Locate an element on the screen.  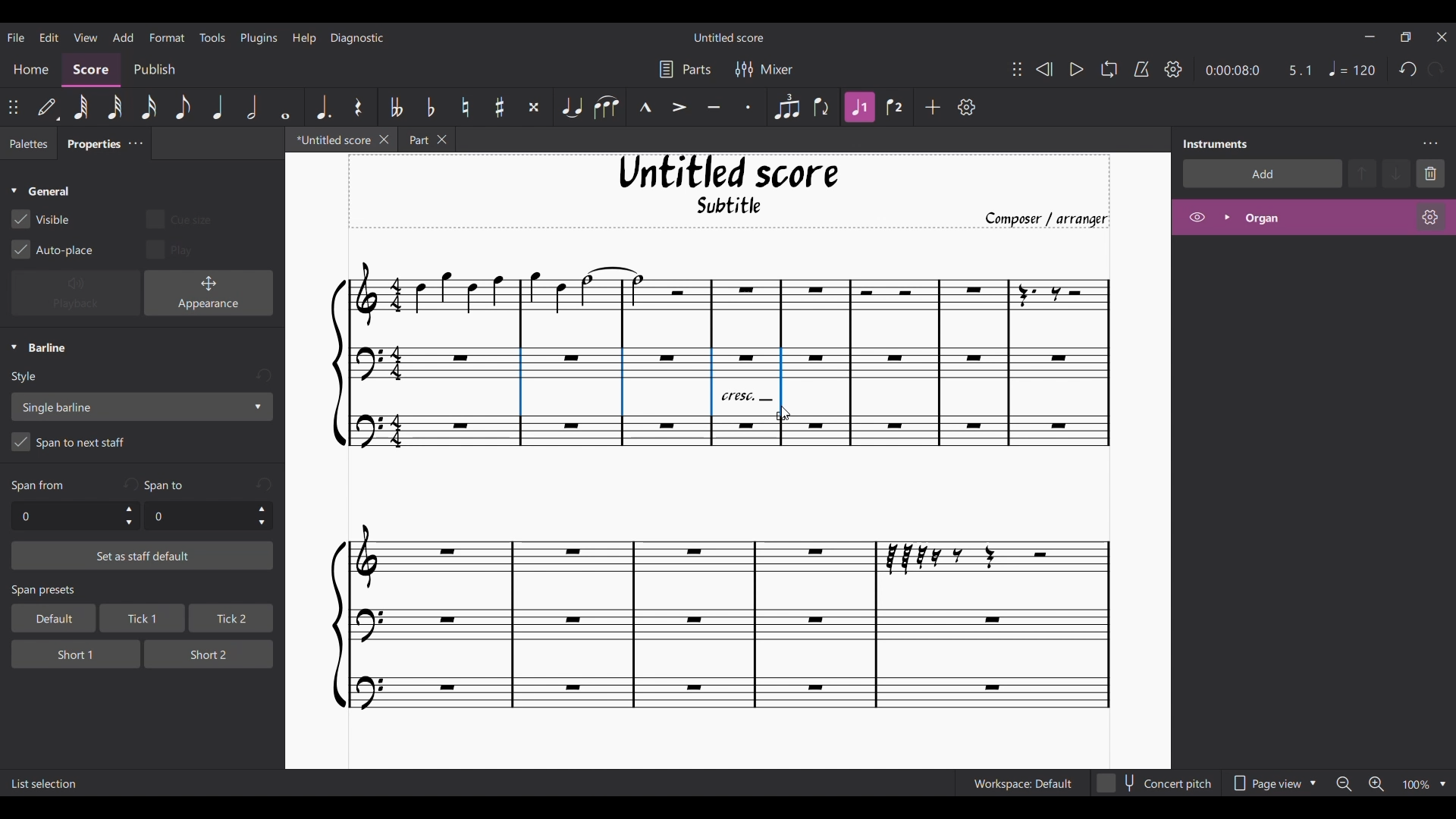
Toggle double sharp is located at coordinates (534, 108).